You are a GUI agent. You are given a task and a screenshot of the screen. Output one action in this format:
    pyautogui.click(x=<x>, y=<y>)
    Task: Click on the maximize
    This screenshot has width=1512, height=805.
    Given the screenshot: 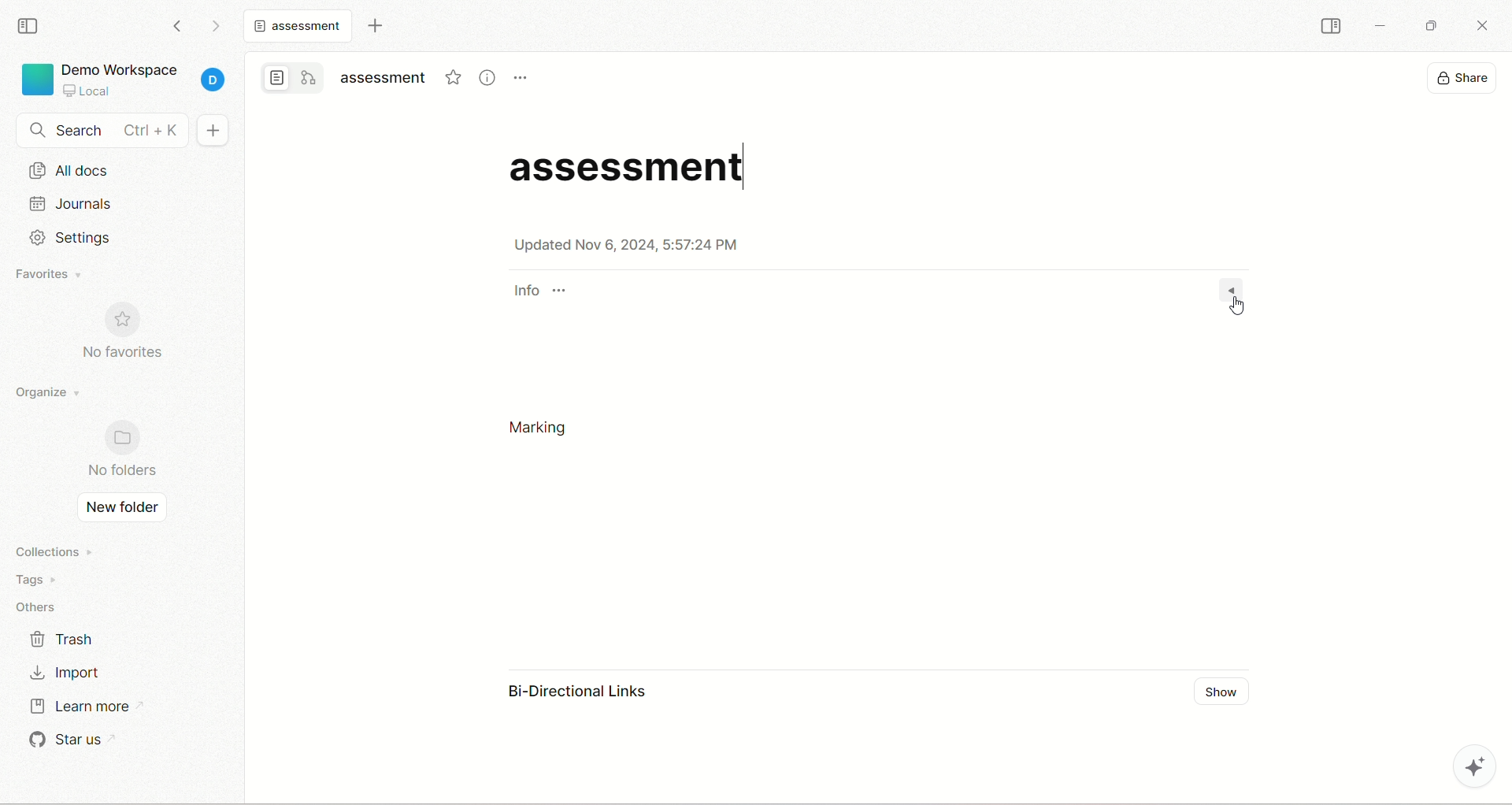 What is the action you would take?
    pyautogui.click(x=1429, y=26)
    